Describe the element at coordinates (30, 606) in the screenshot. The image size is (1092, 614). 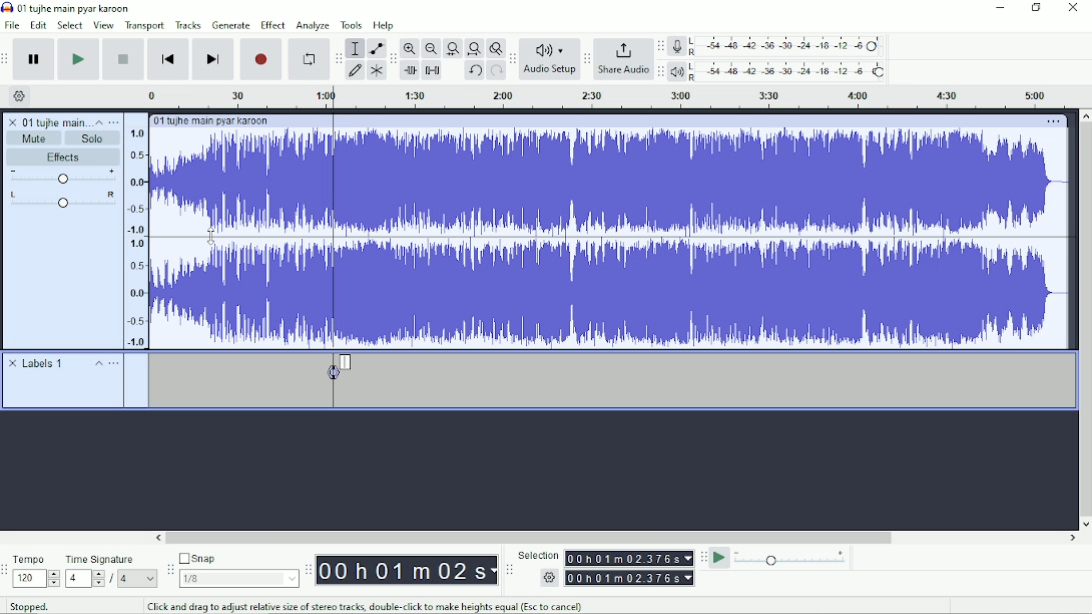
I see `Stopped` at that location.